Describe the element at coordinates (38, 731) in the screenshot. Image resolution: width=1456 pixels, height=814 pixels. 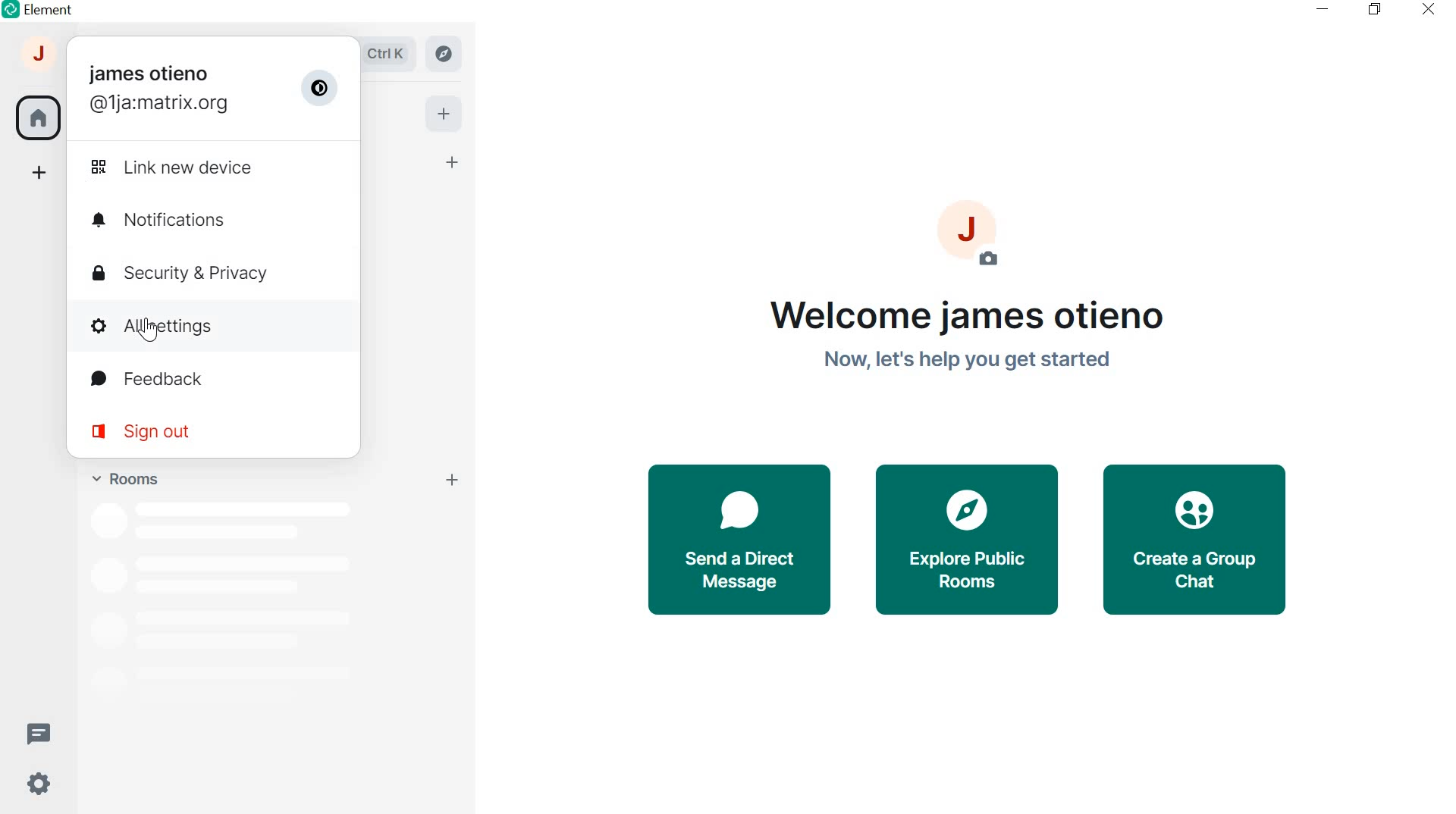
I see `THREADS` at that location.